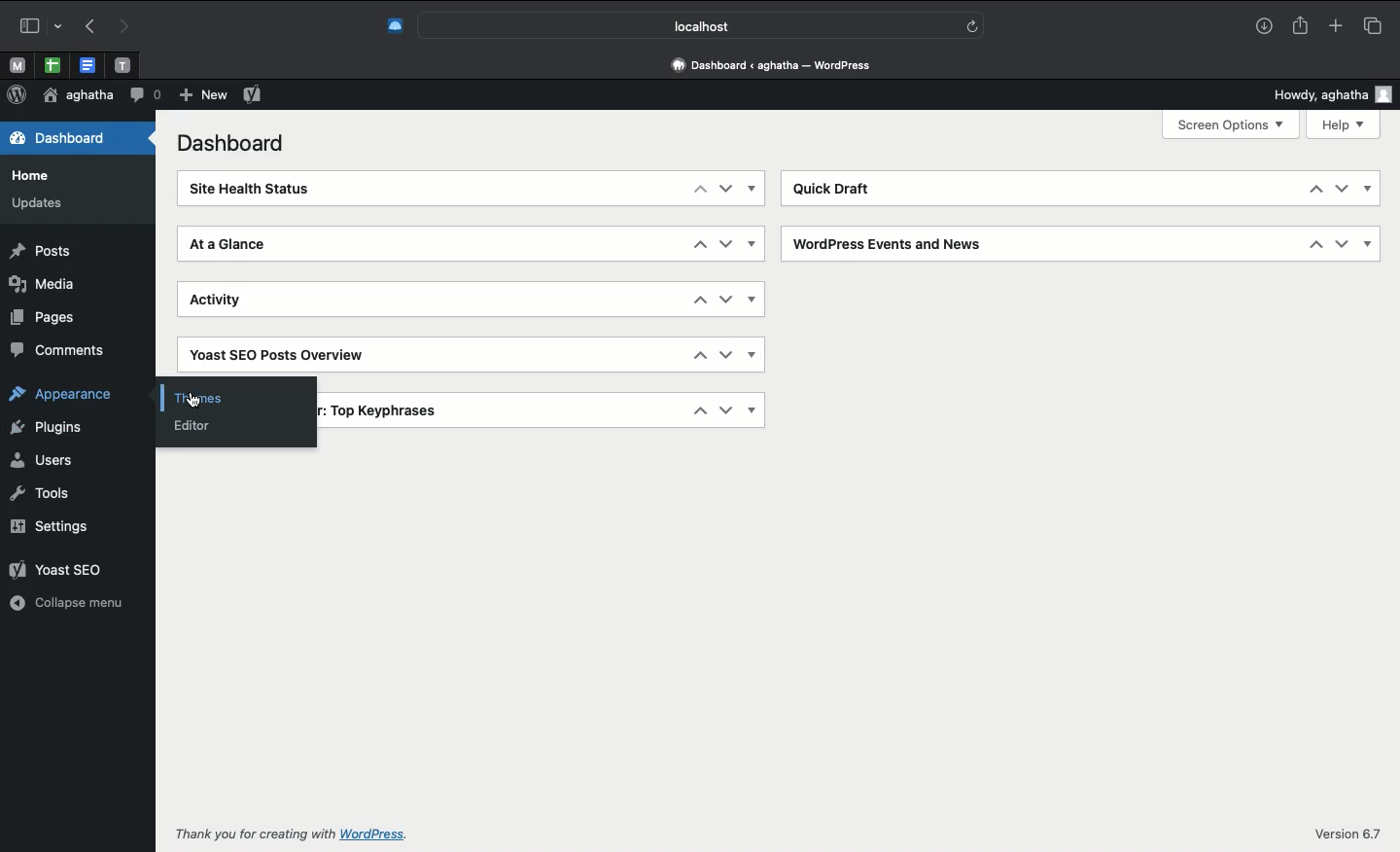 The height and width of the screenshot is (852, 1400). What do you see at coordinates (50, 429) in the screenshot?
I see `Plugins` at bounding box center [50, 429].